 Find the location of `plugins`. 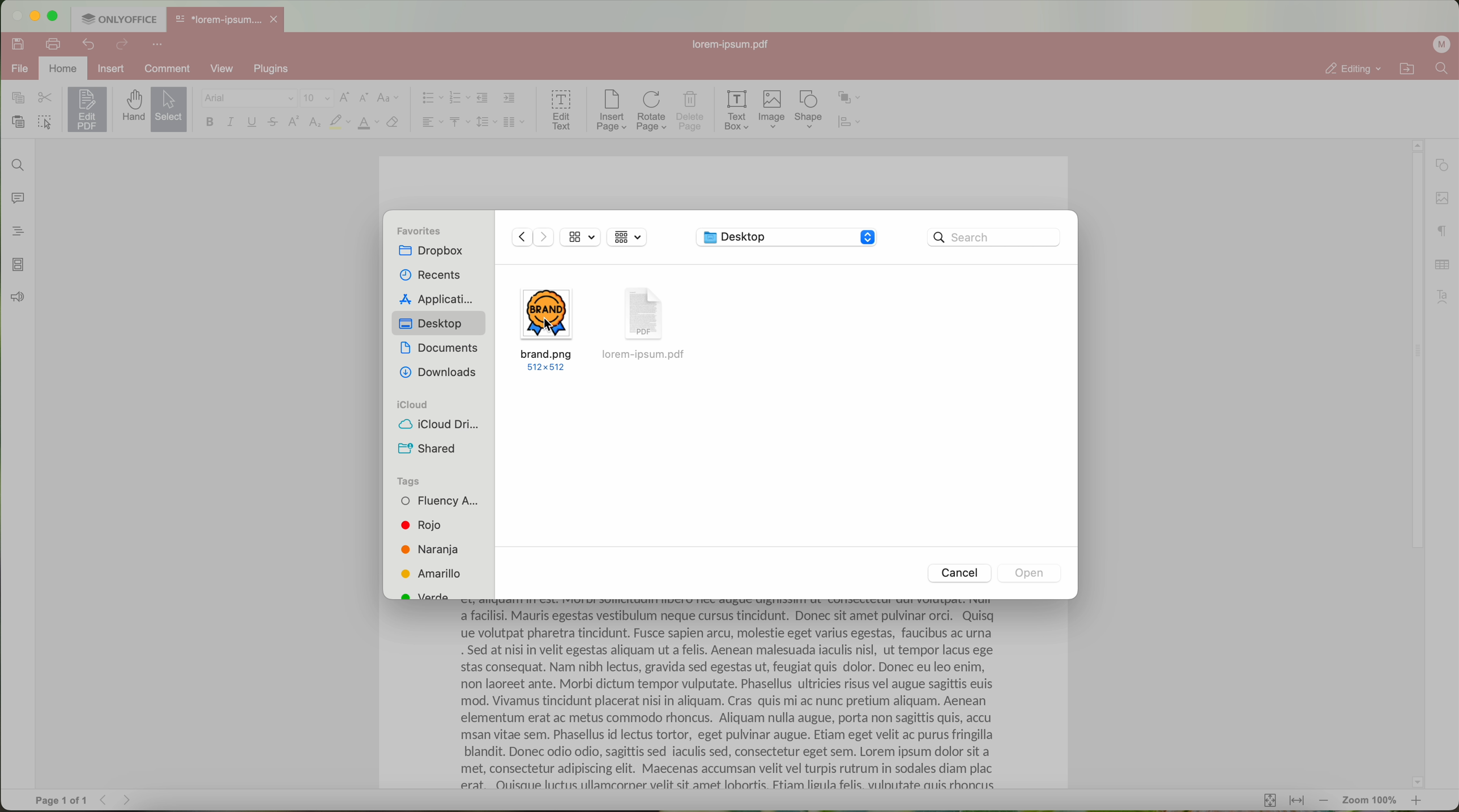

plugins is located at coordinates (278, 69).